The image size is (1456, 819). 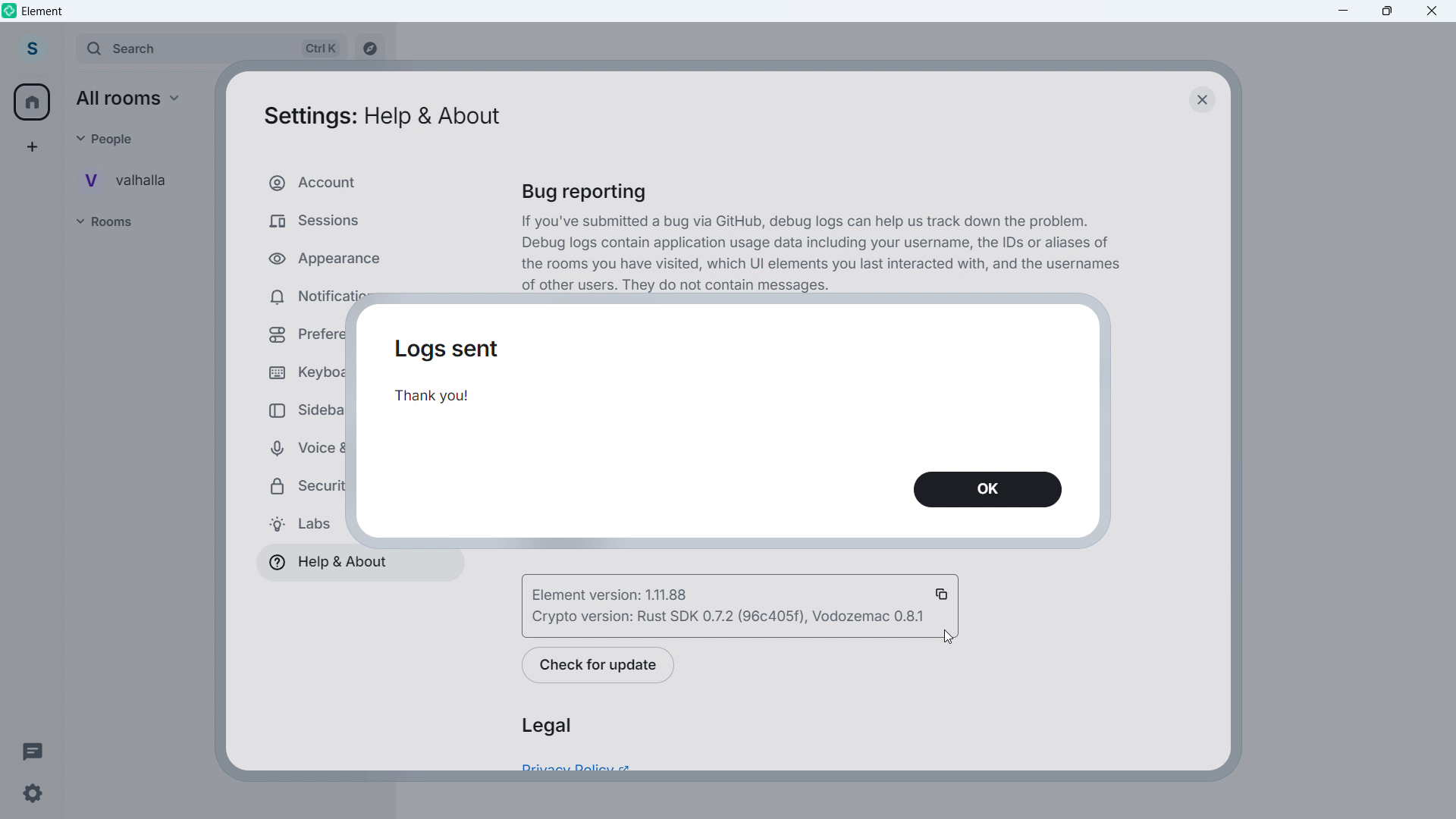 What do you see at coordinates (118, 222) in the screenshot?
I see `Rooms ` at bounding box center [118, 222].